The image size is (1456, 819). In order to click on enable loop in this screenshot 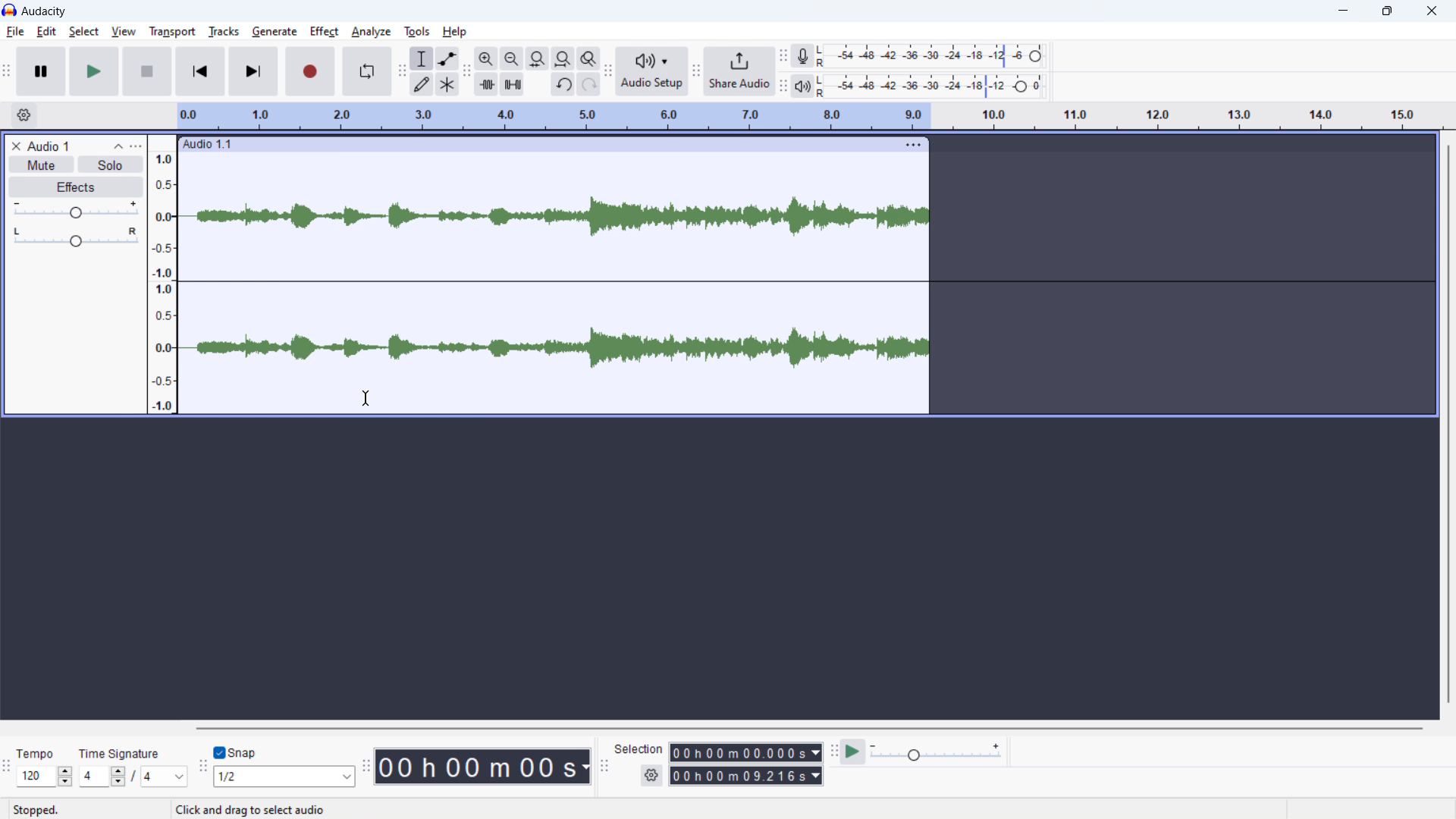, I will do `click(366, 71)`.